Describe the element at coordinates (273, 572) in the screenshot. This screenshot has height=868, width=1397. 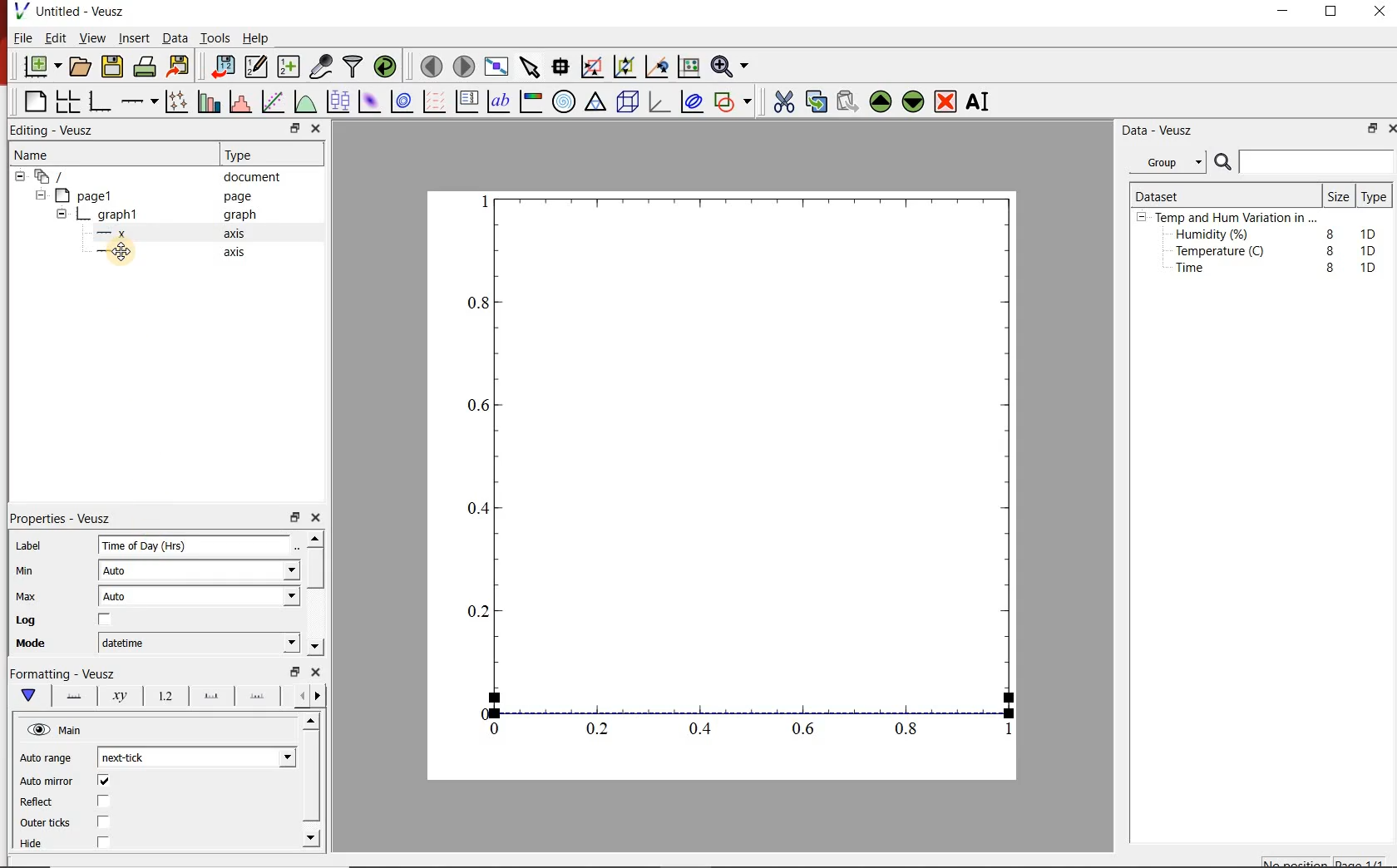
I see `Min dropdown` at that location.